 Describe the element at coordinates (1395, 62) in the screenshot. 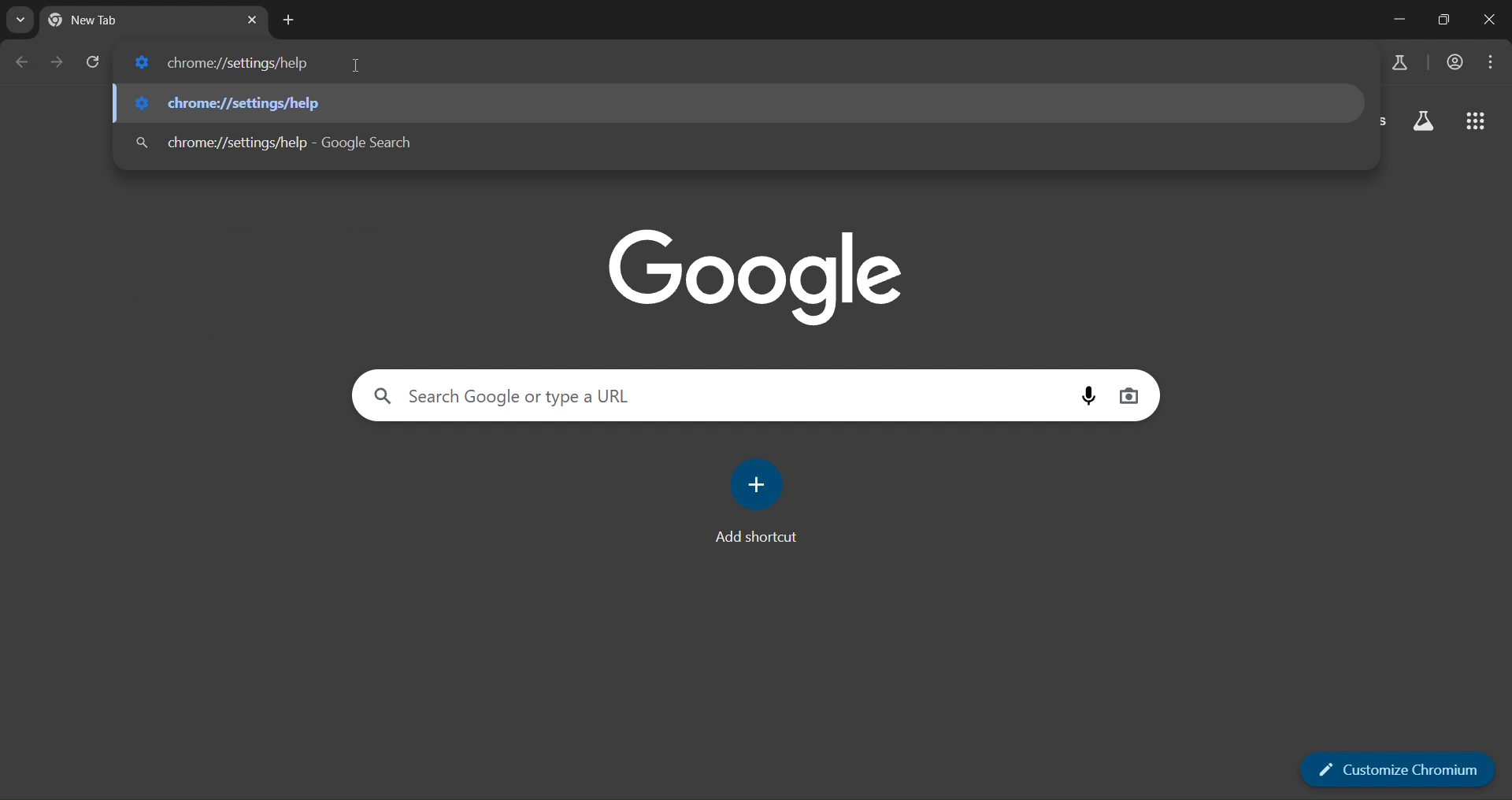

I see `search labs` at that location.